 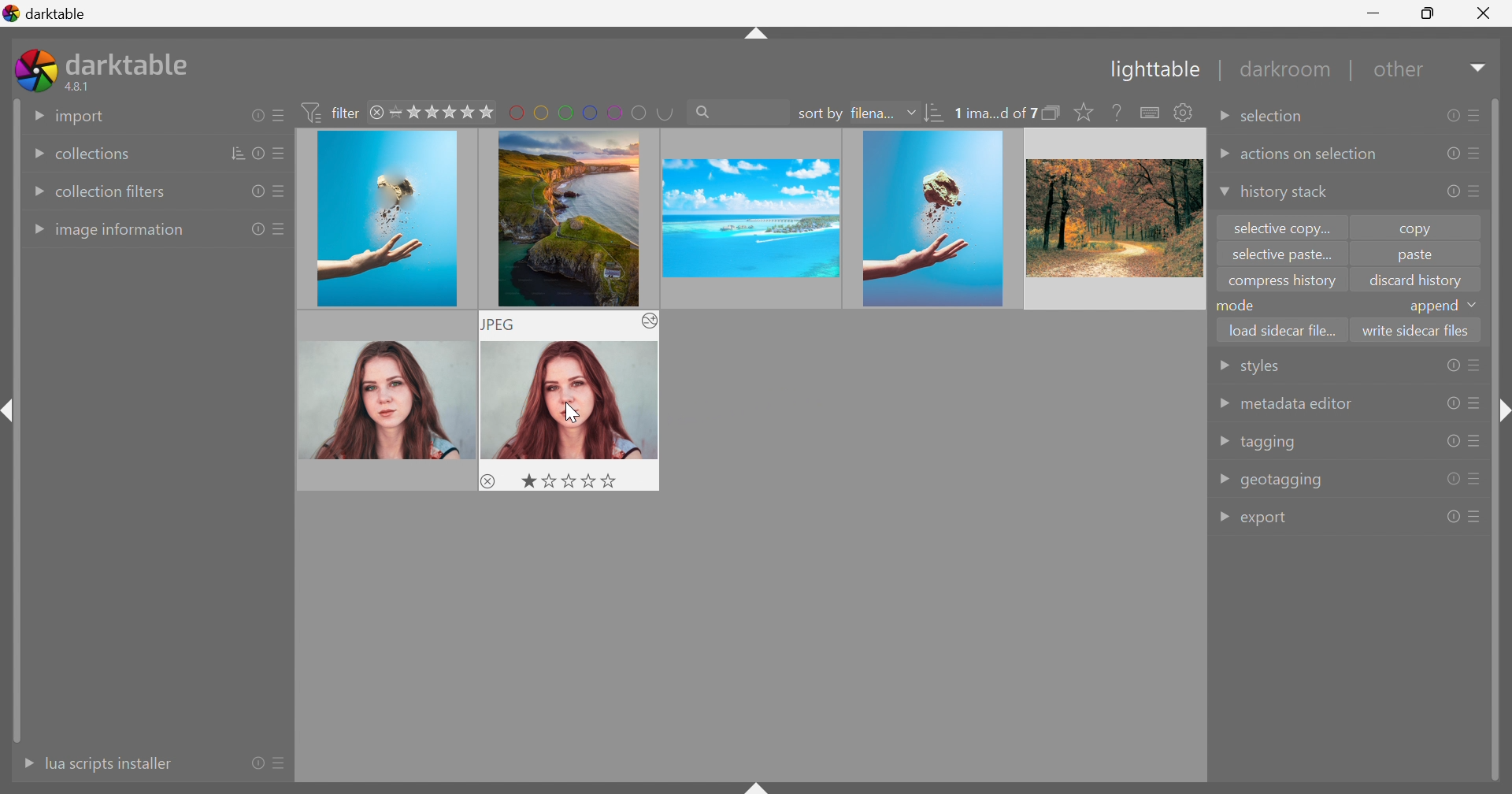 I want to click on selection, so click(x=1277, y=117).